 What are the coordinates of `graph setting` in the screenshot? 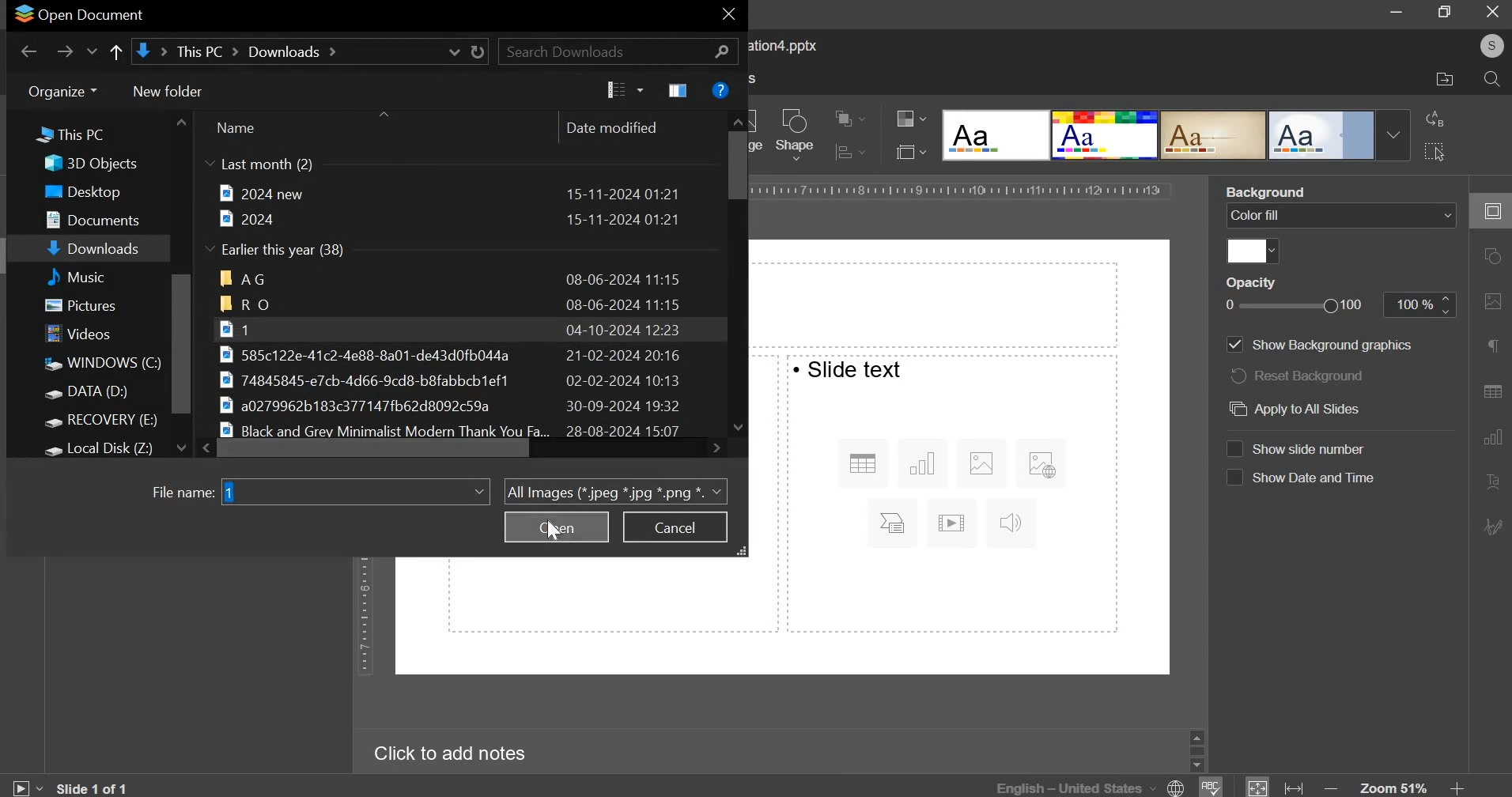 It's located at (1491, 436).